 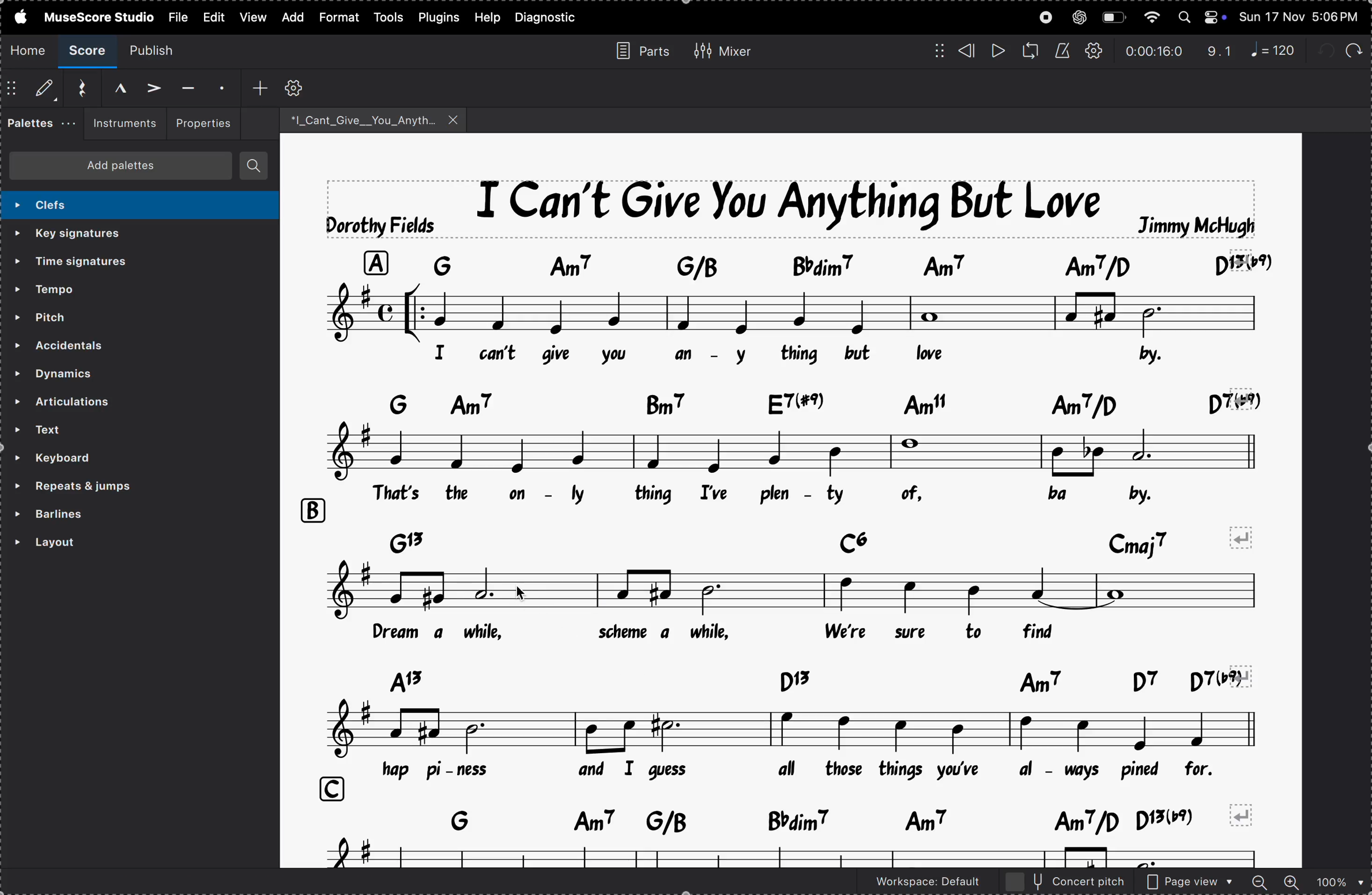 What do you see at coordinates (1030, 51) in the screenshot?
I see `loop playback` at bounding box center [1030, 51].